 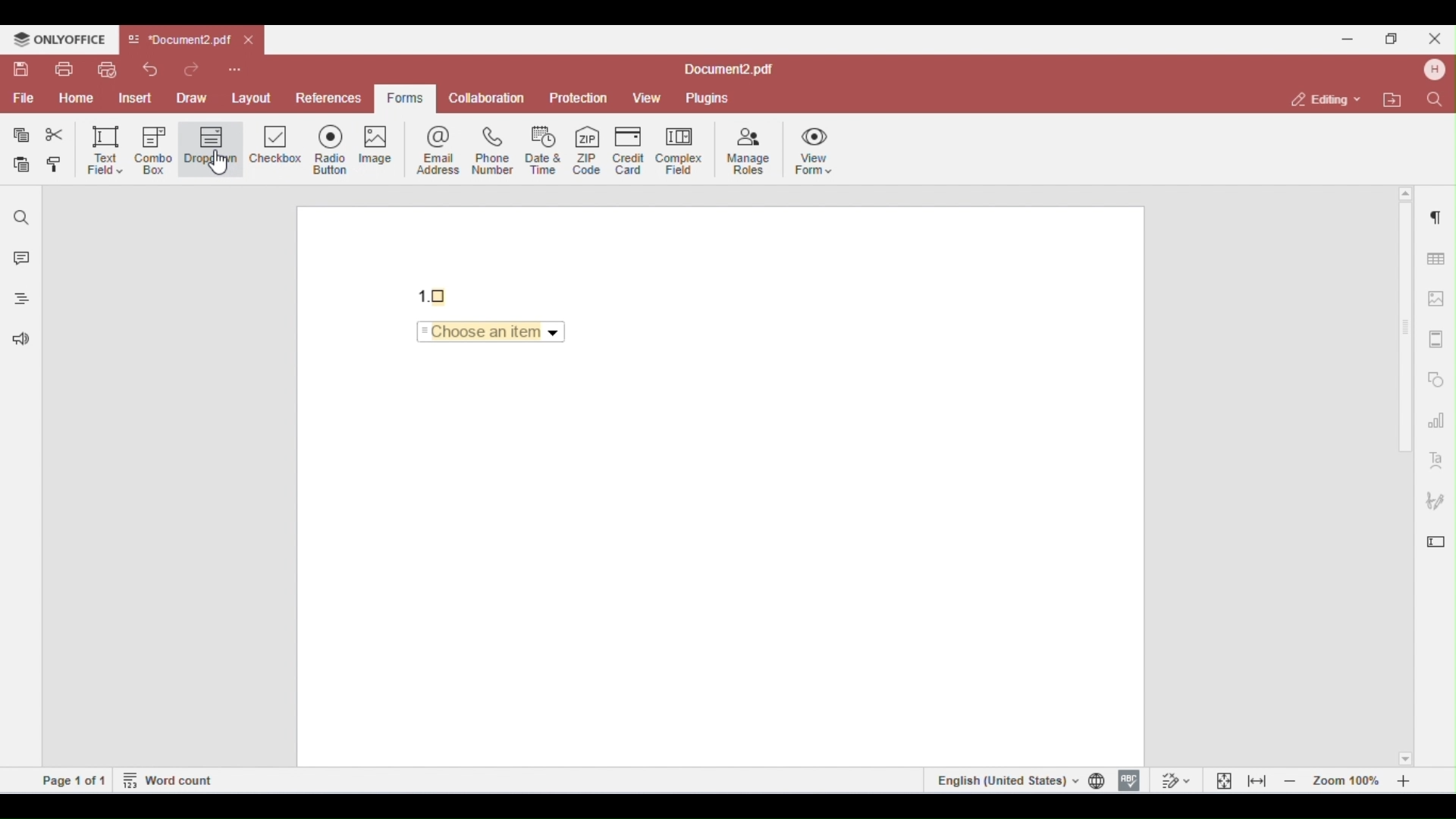 I want to click on phone number, so click(x=491, y=150).